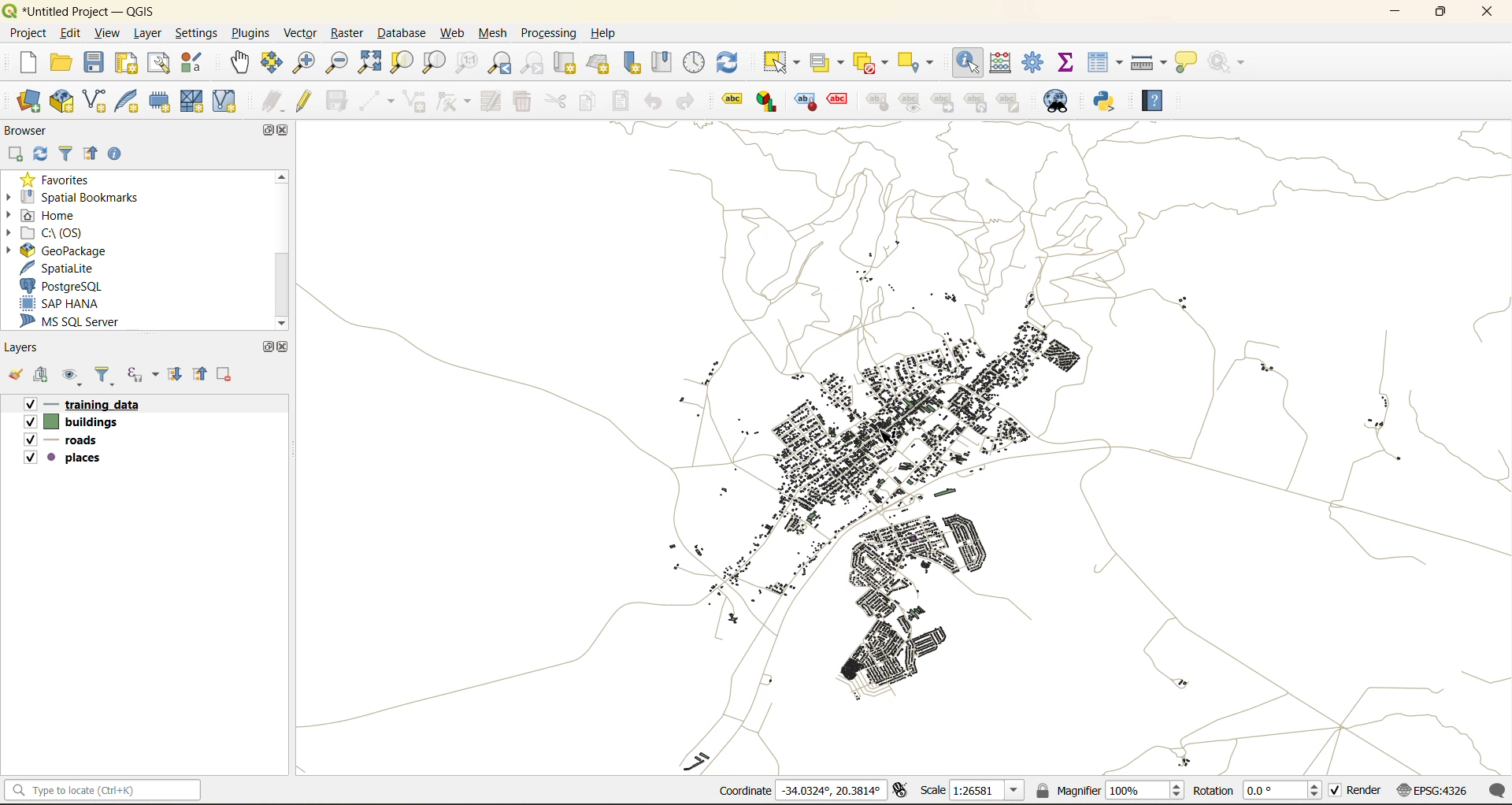 This screenshot has height=805, width=1512. What do you see at coordinates (434, 63) in the screenshot?
I see `zoom layer` at bounding box center [434, 63].